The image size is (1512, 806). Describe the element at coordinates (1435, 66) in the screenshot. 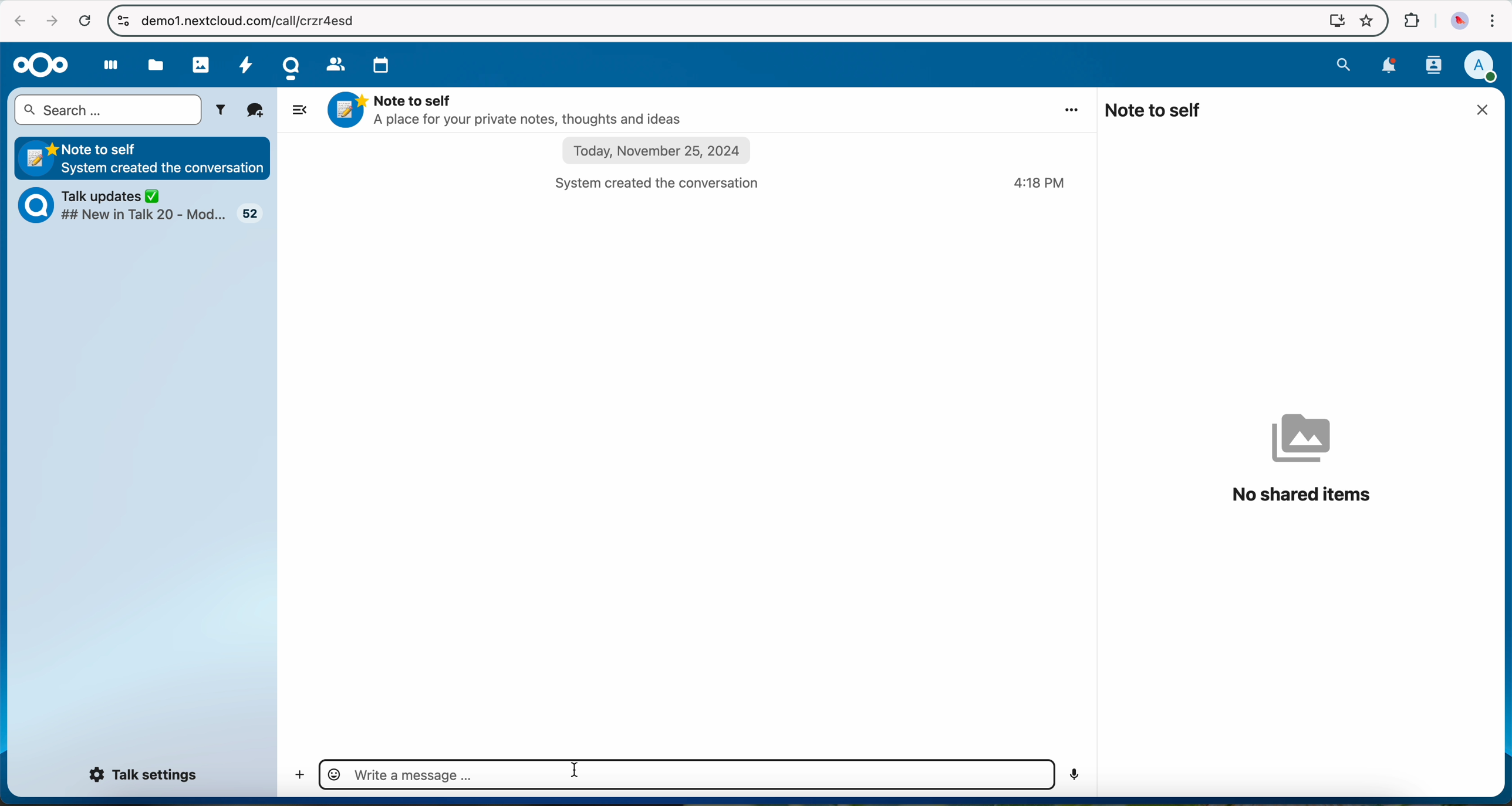

I see `contacts` at that location.